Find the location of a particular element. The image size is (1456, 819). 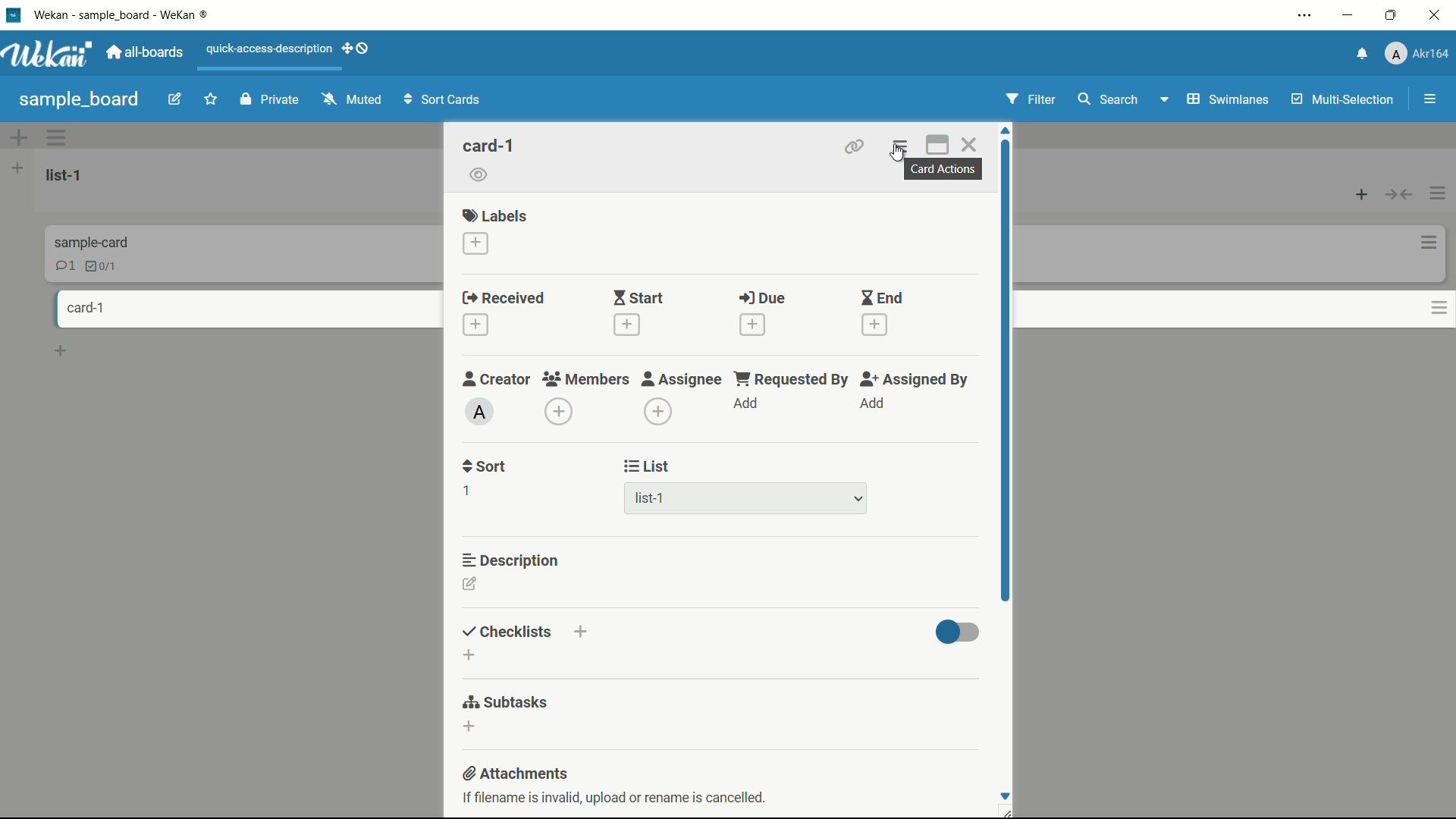

maximize is located at coordinates (1389, 16).